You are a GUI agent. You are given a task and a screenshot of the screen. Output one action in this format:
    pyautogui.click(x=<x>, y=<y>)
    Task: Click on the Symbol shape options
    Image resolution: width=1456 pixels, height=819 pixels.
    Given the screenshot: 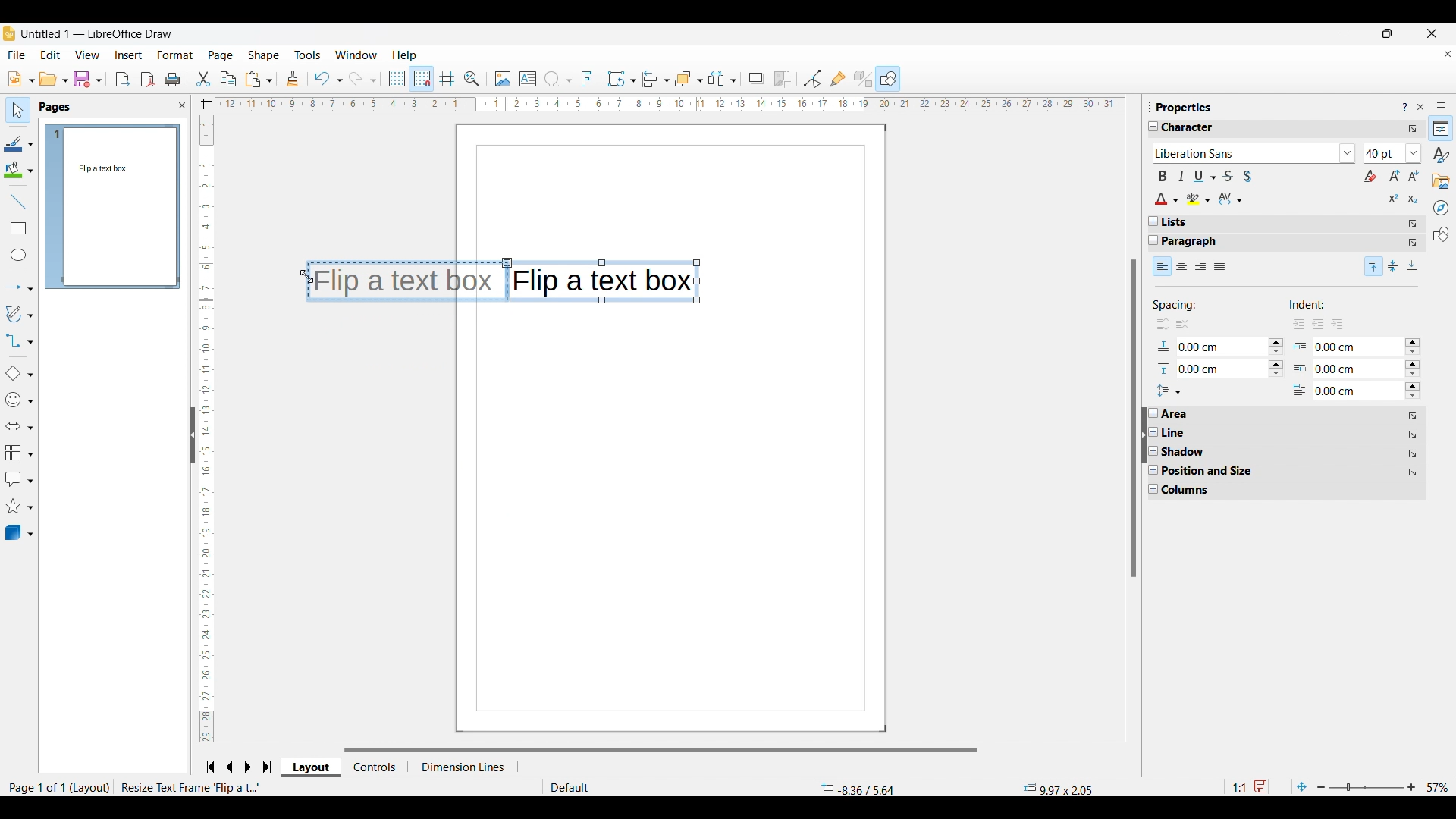 What is the action you would take?
    pyautogui.click(x=19, y=400)
    